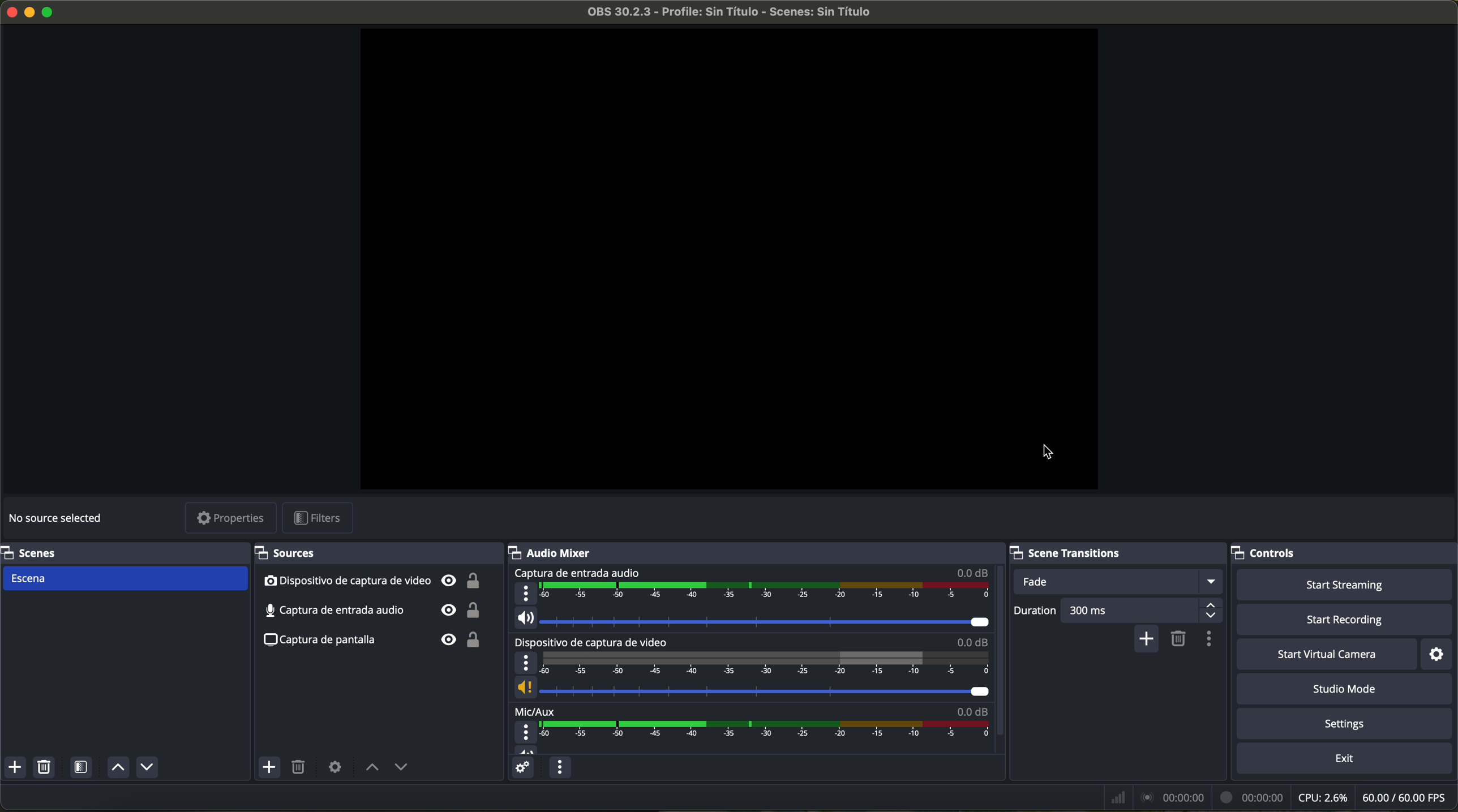  I want to click on fade, so click(1121, 582).